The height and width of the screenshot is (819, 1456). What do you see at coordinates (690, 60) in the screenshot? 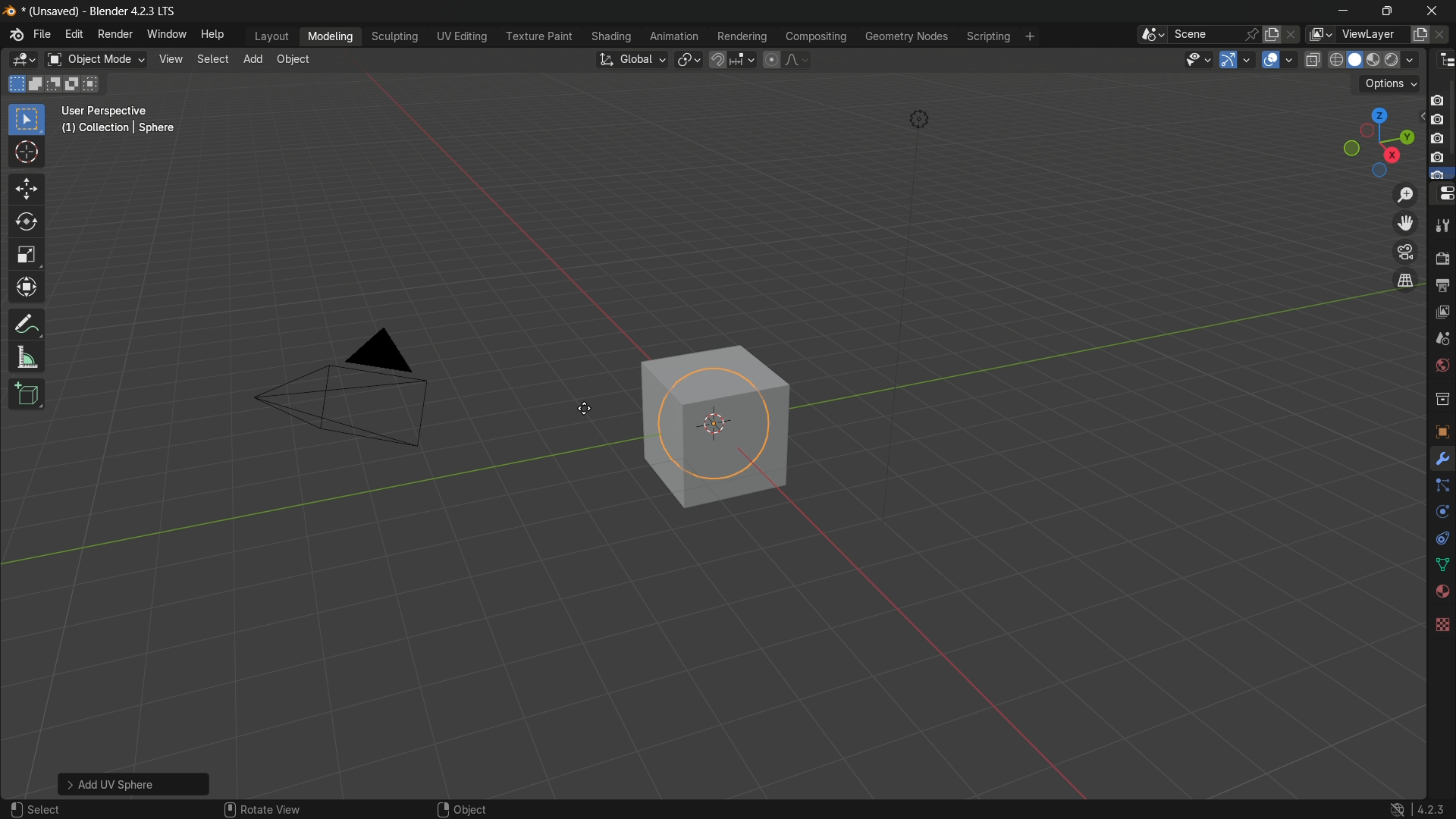
I see `transform pivot table` at bounding box center [690, 60].